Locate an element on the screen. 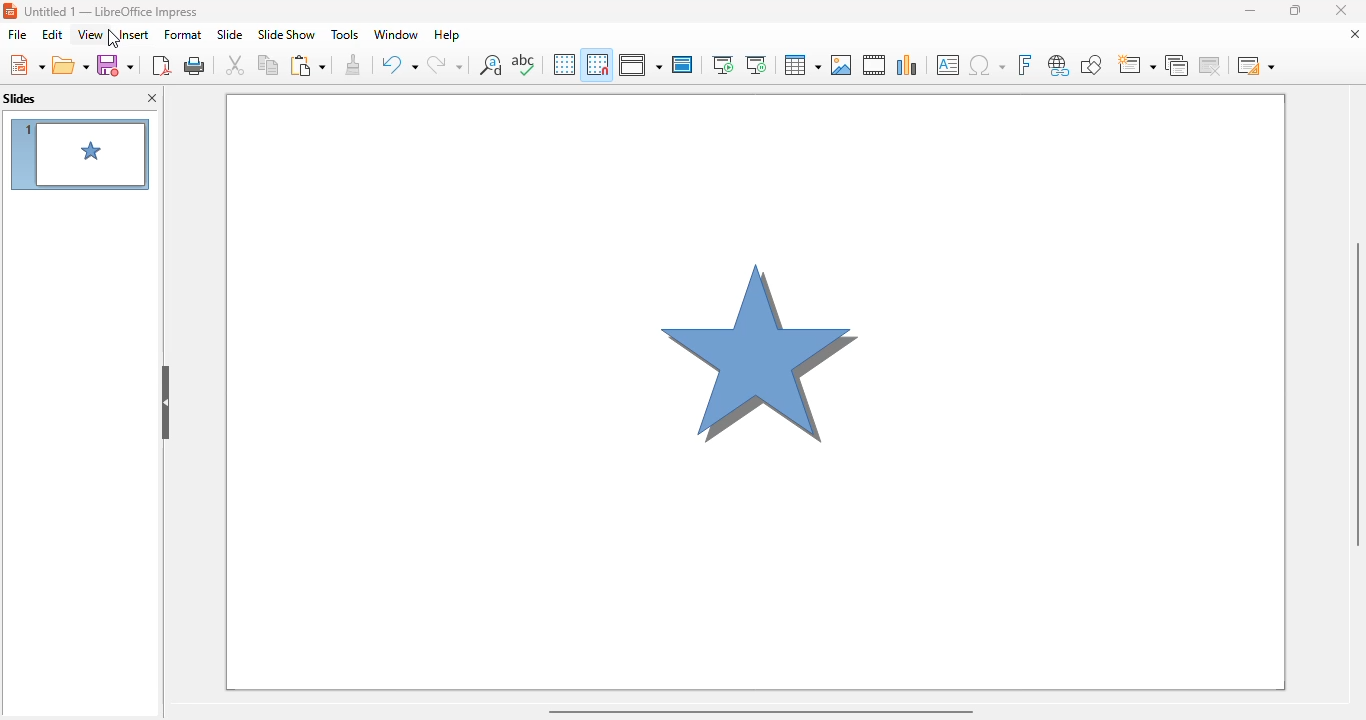  insert image is located at coordinates (843, 65).